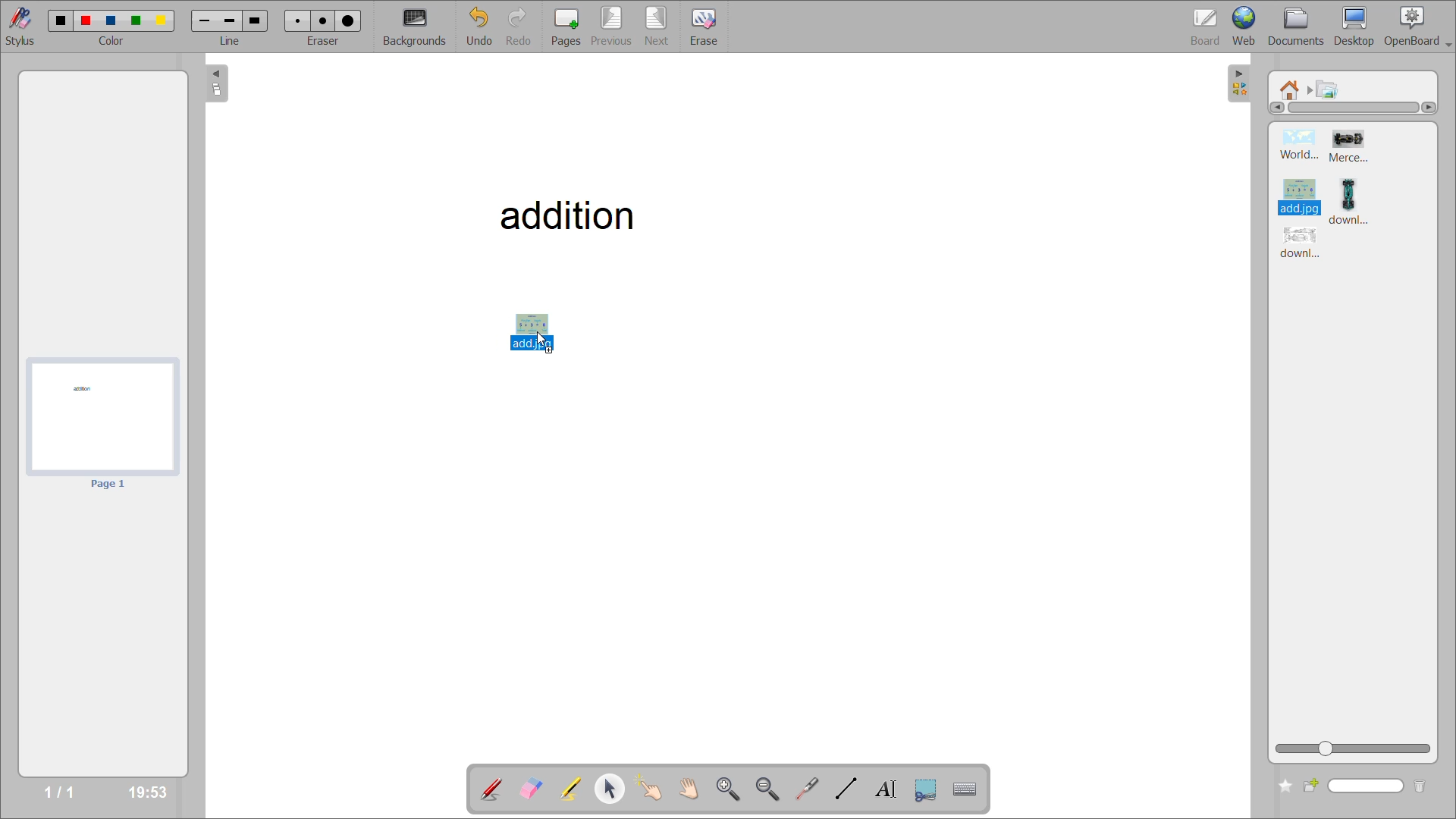 This screenshot has width=1456, height=819. What do you see at coordinates (1354, 147) in the screenshot?
I see `image 2` at bounding box center [1354, 147].